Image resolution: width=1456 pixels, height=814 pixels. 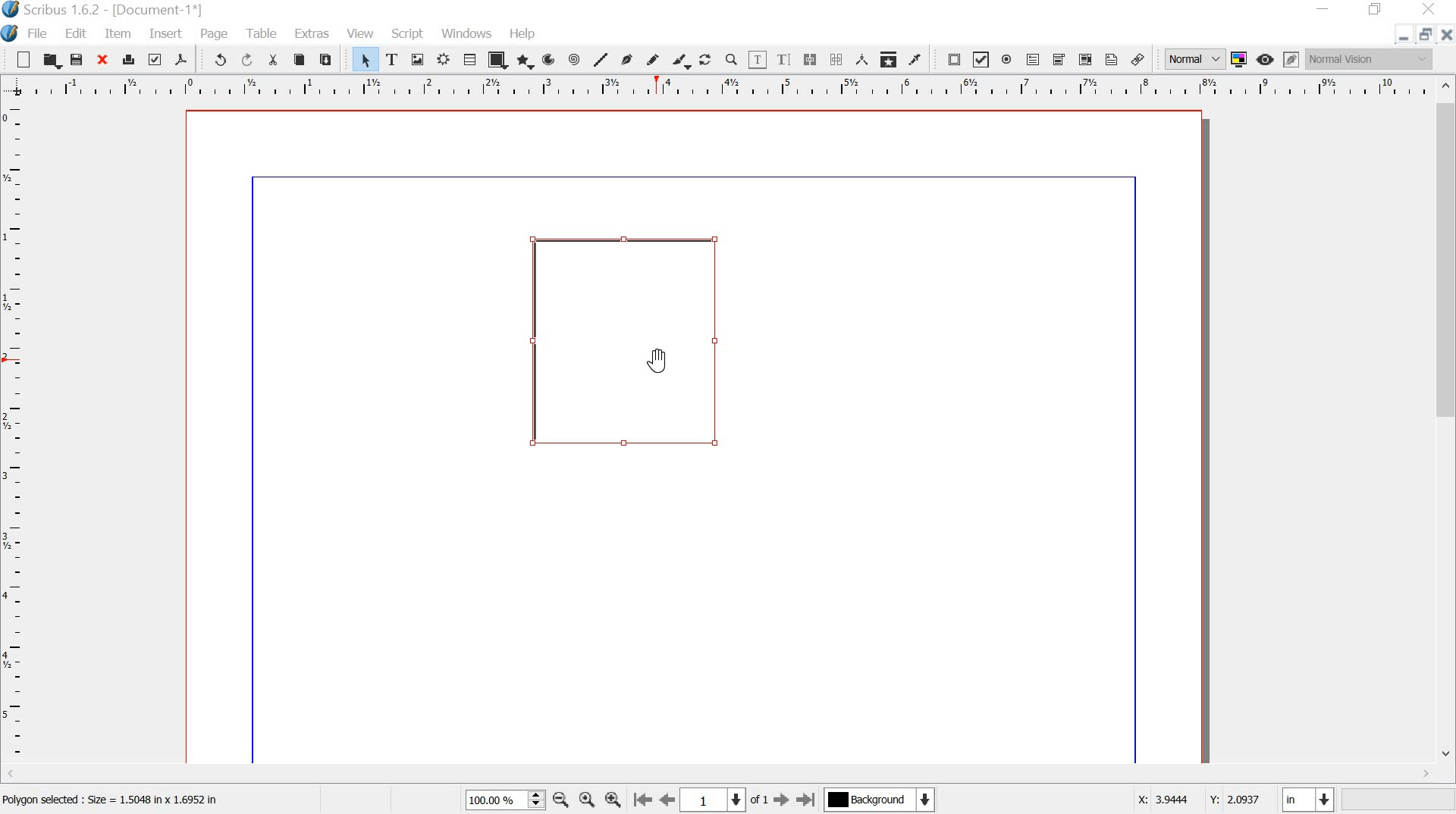 What do you see at coordinates (246, 61) in the screenshot?
I see `redo` at bounding box center [246, 61].